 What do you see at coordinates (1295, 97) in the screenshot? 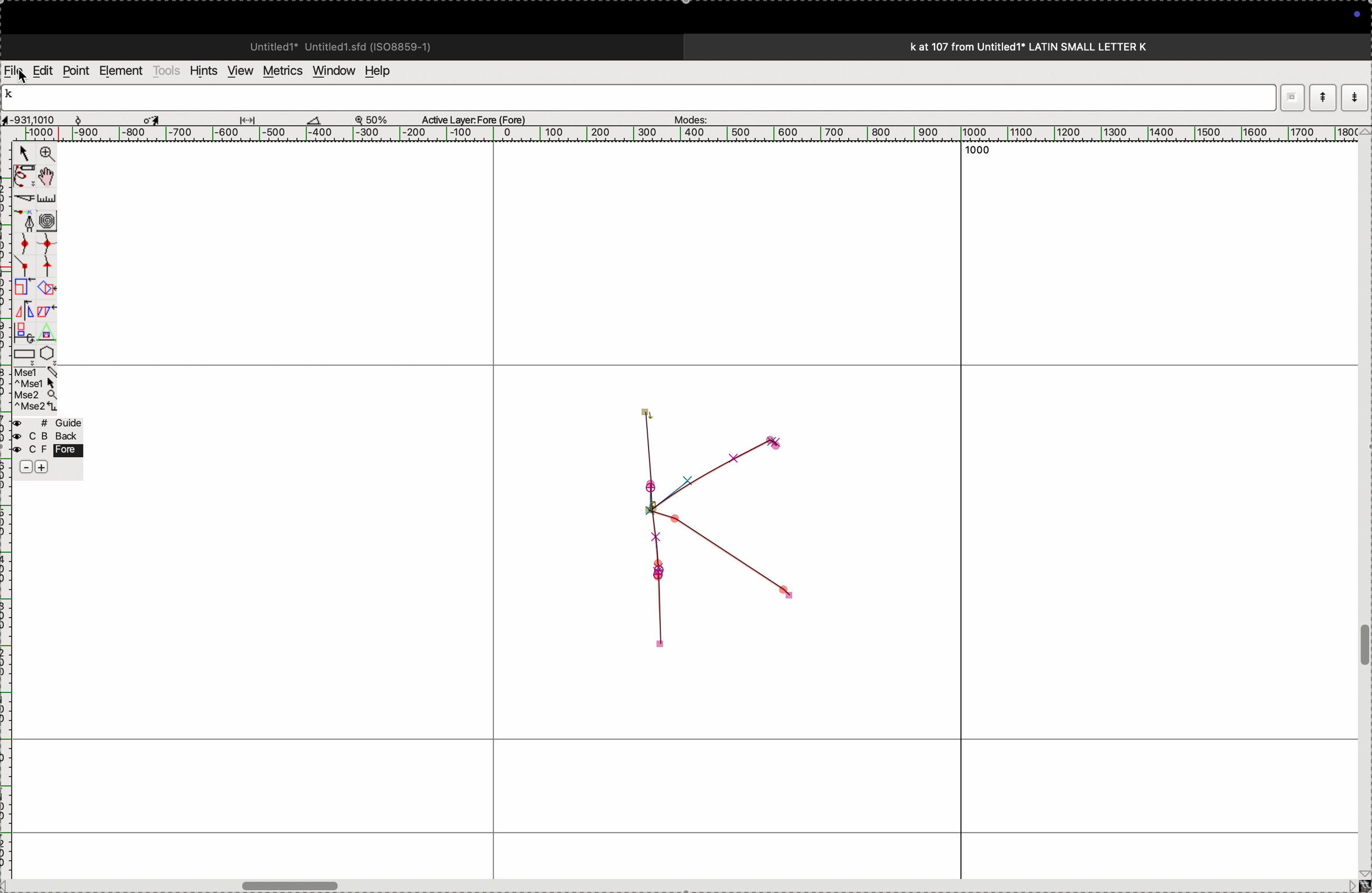
I see `restore down` at bounding box center [1295, 97].